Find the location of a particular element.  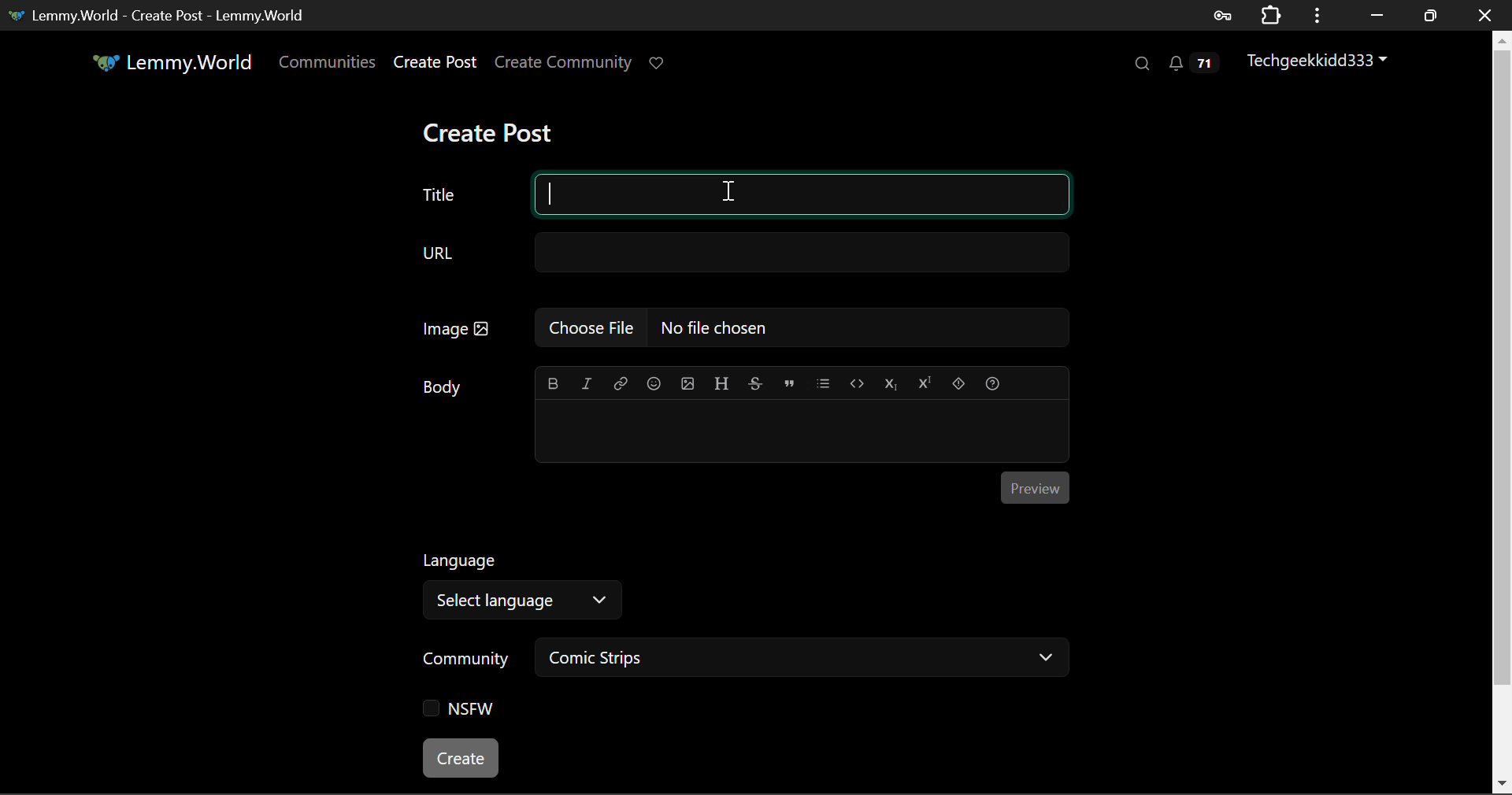

italic is located at coordinates (589, 379).